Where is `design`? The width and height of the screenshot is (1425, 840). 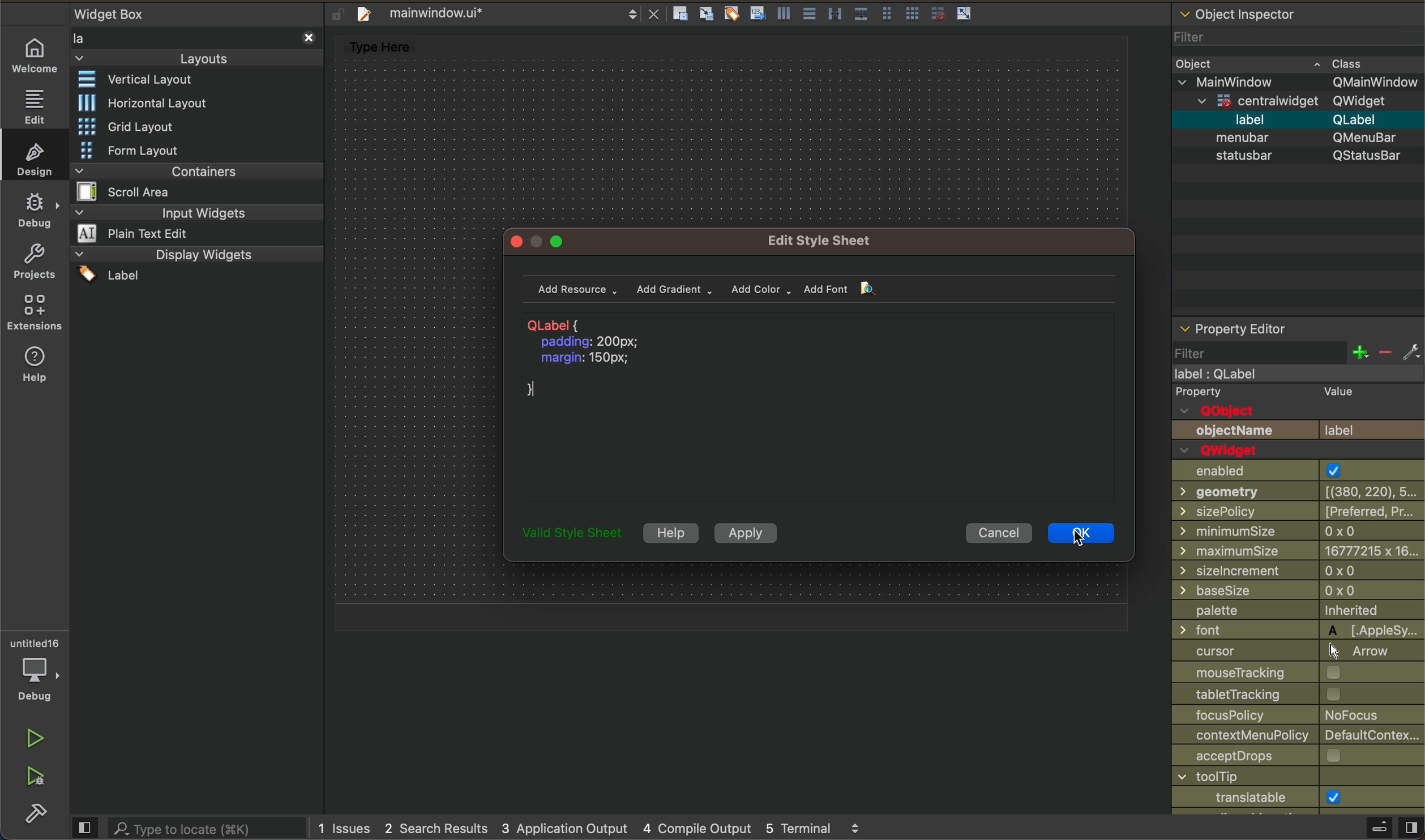
design is located at coordinates (35, 158).